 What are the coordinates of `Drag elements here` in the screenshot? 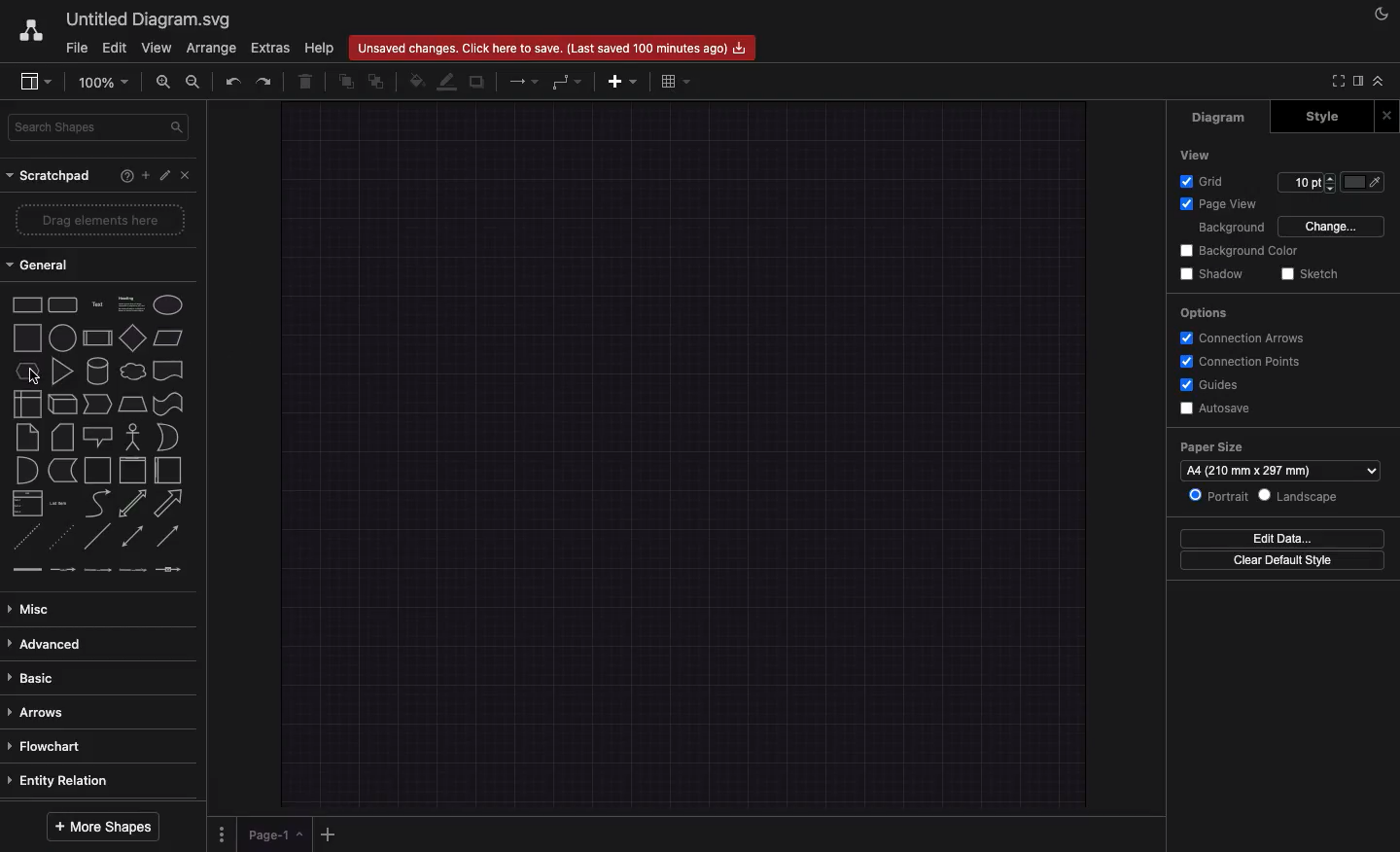 It's located at (104, 219).